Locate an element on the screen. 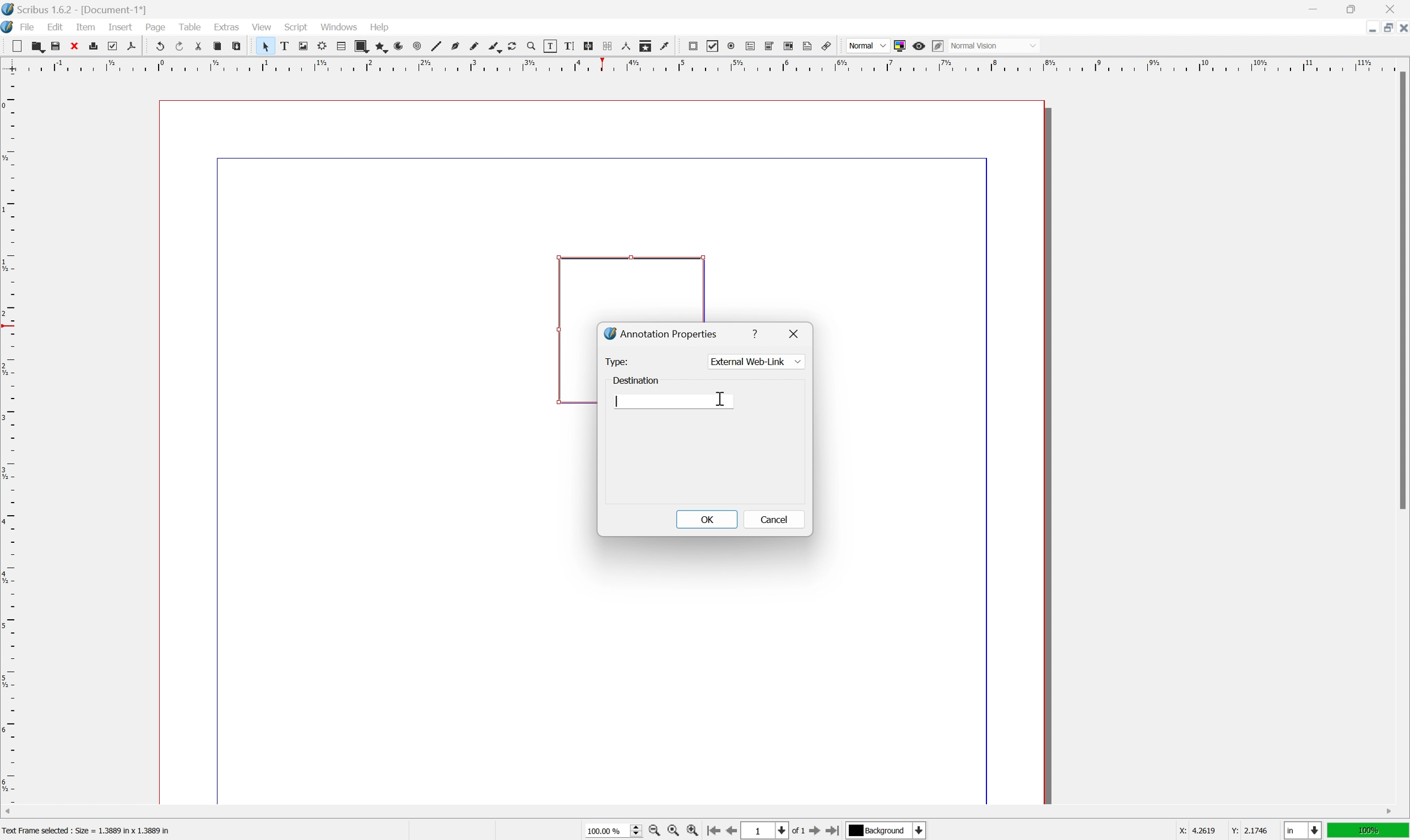  item is located at coordinates (86, 27).